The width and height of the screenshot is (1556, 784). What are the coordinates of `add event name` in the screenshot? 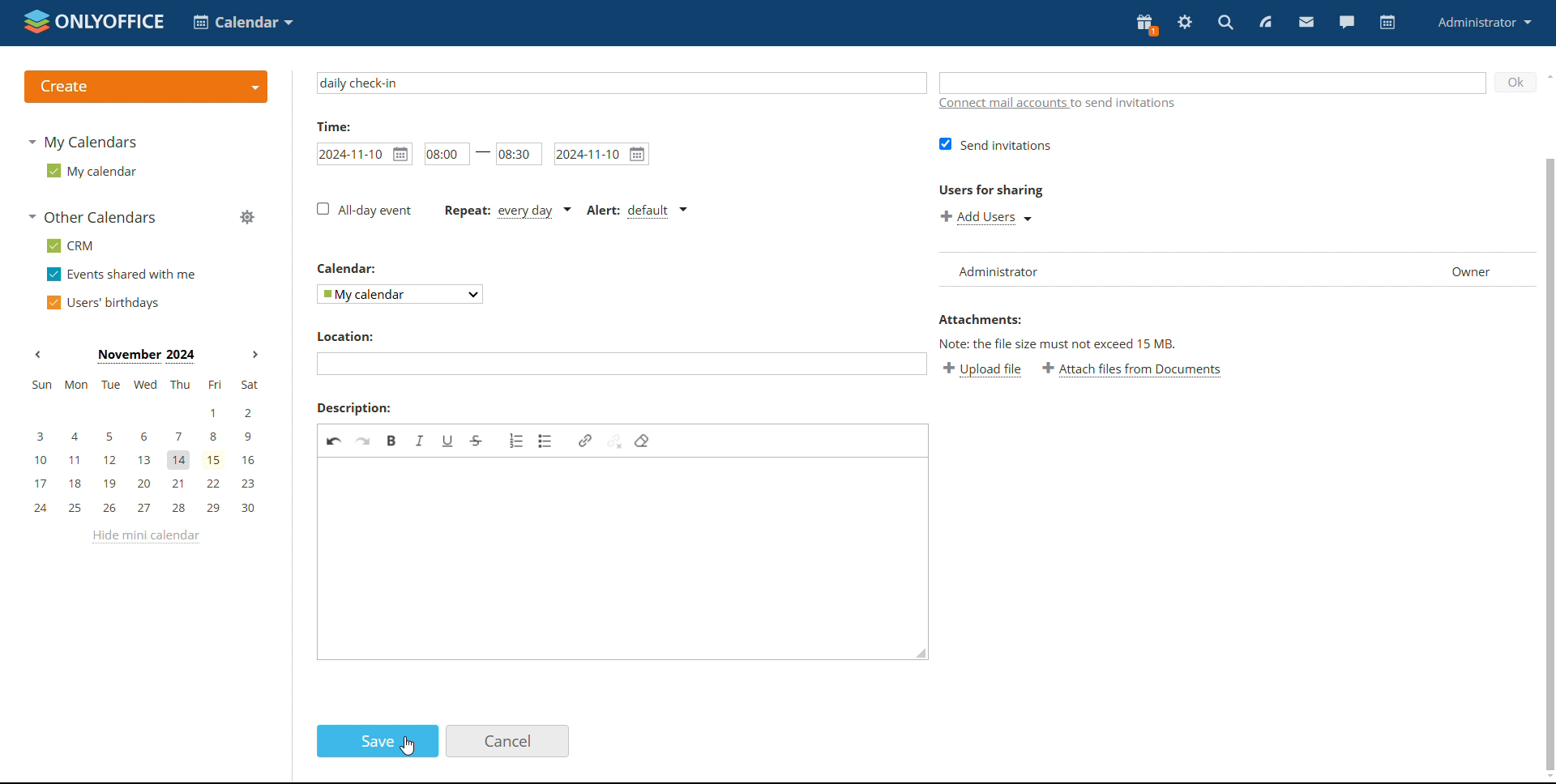 It's located at (621, 82).